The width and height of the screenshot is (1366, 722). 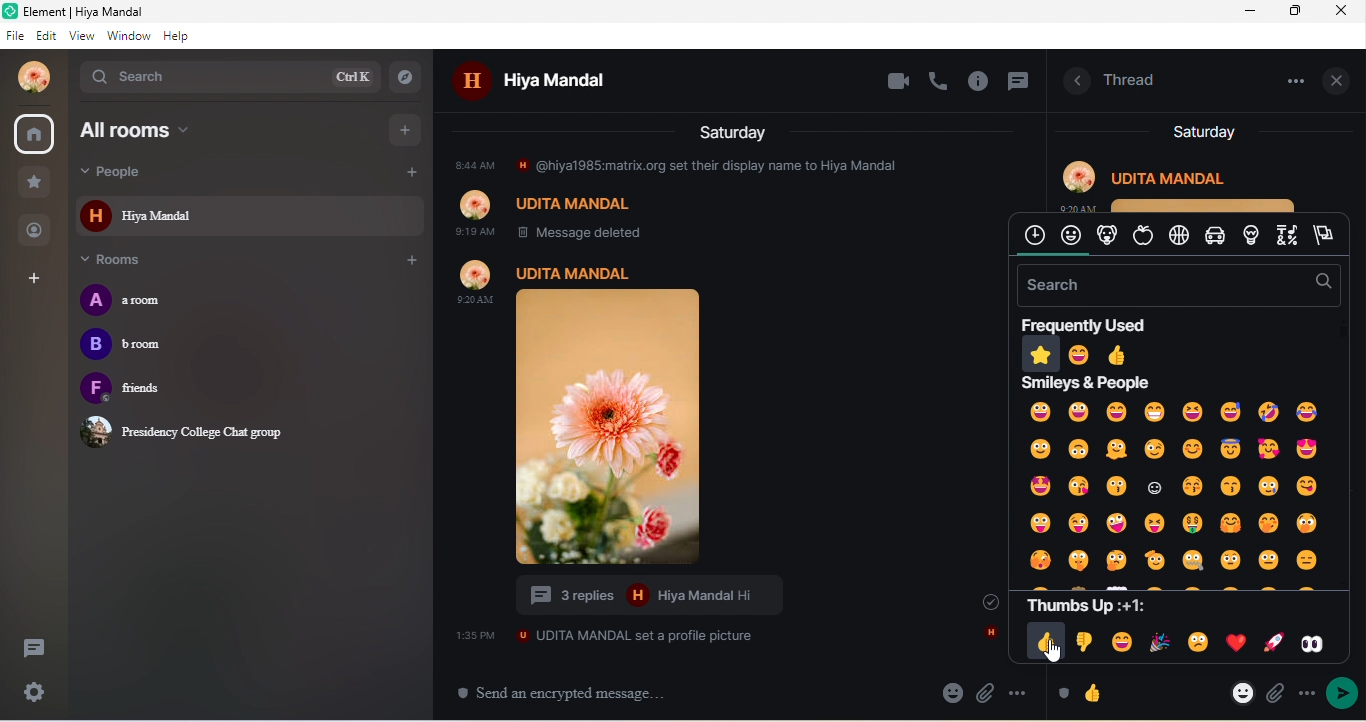 I want to click on all emojis, so click(x=1176, y=487).